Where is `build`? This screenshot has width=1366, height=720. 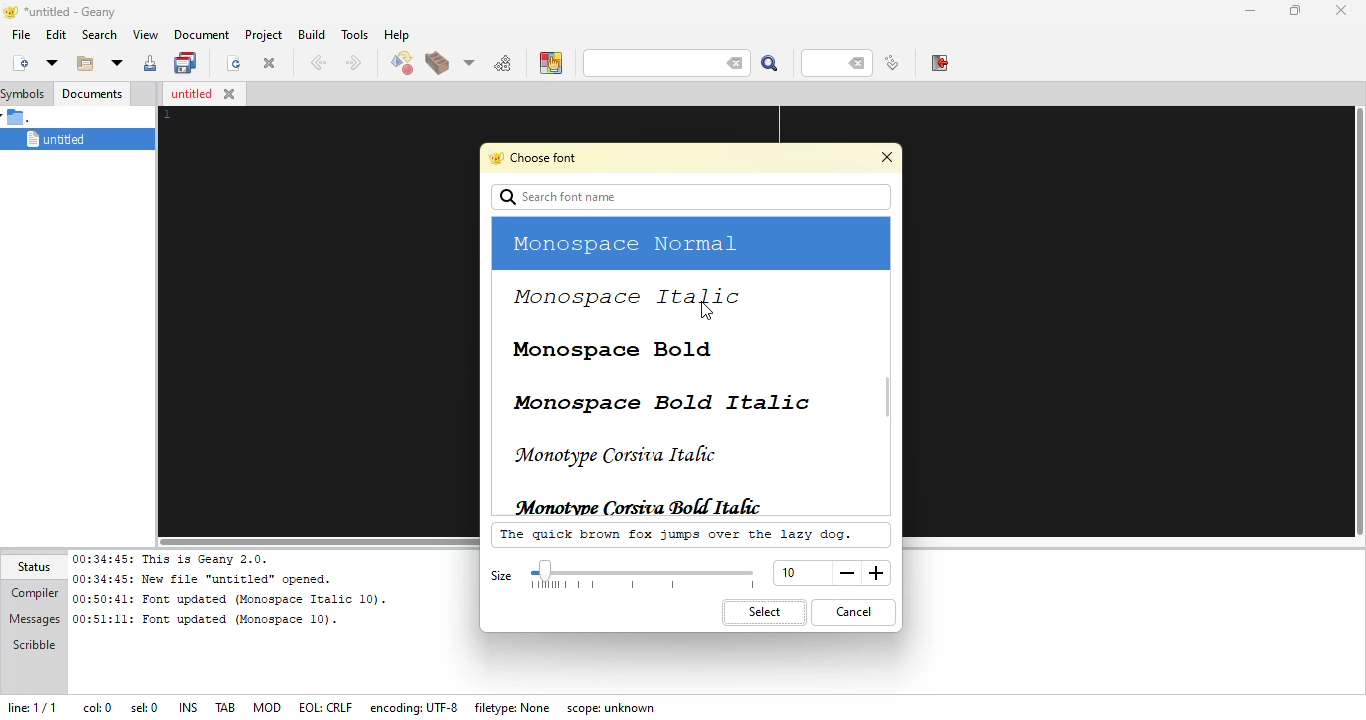 build is located at coordinates (311, 34).